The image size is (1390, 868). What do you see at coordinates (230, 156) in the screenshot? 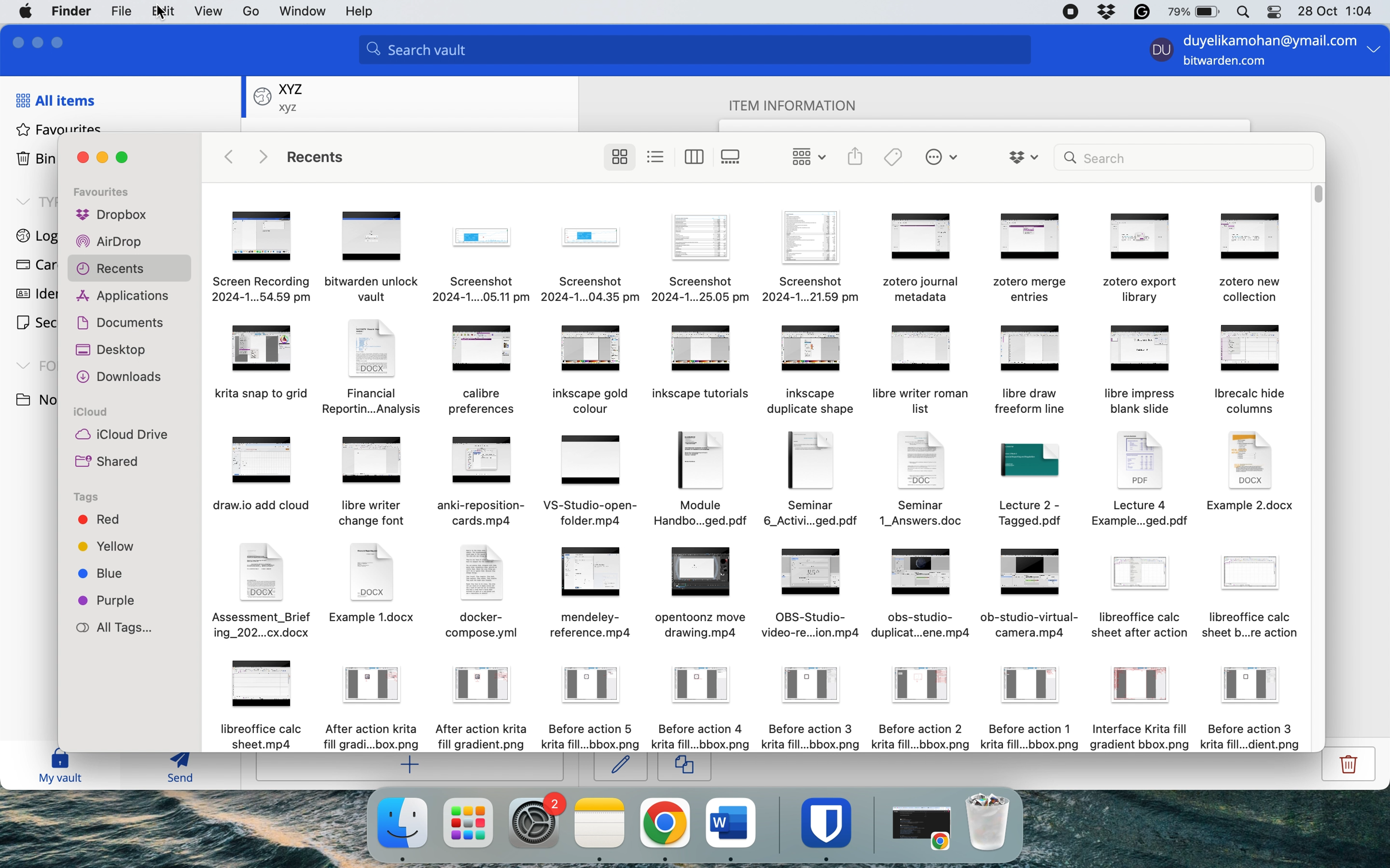
I see `back` at bounding box center [230, 156].